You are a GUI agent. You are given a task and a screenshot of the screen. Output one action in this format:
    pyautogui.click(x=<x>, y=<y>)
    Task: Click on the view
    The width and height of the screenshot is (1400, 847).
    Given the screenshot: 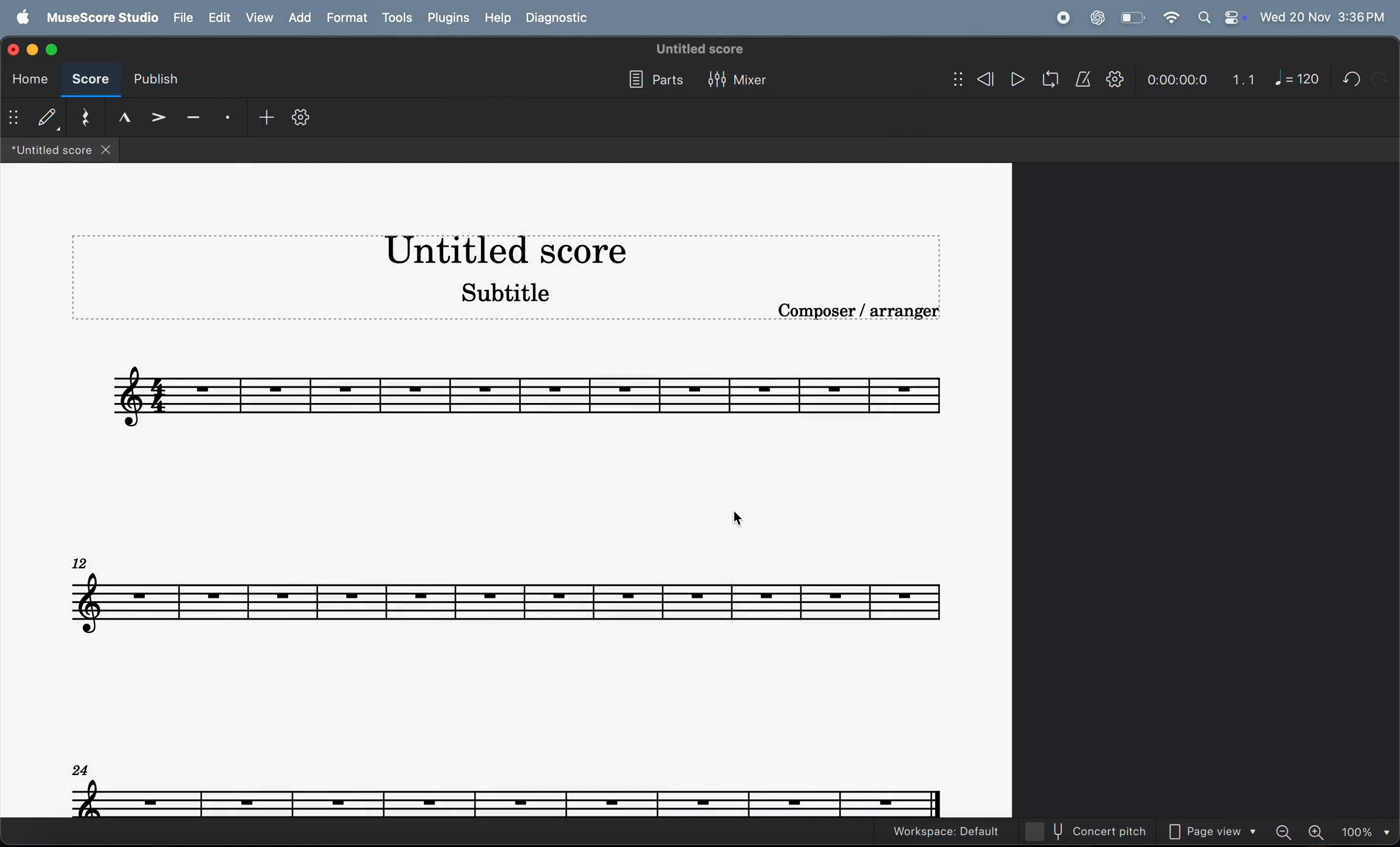 What is the action you would take?
    pyautogui.click(x=261, y=18)
    